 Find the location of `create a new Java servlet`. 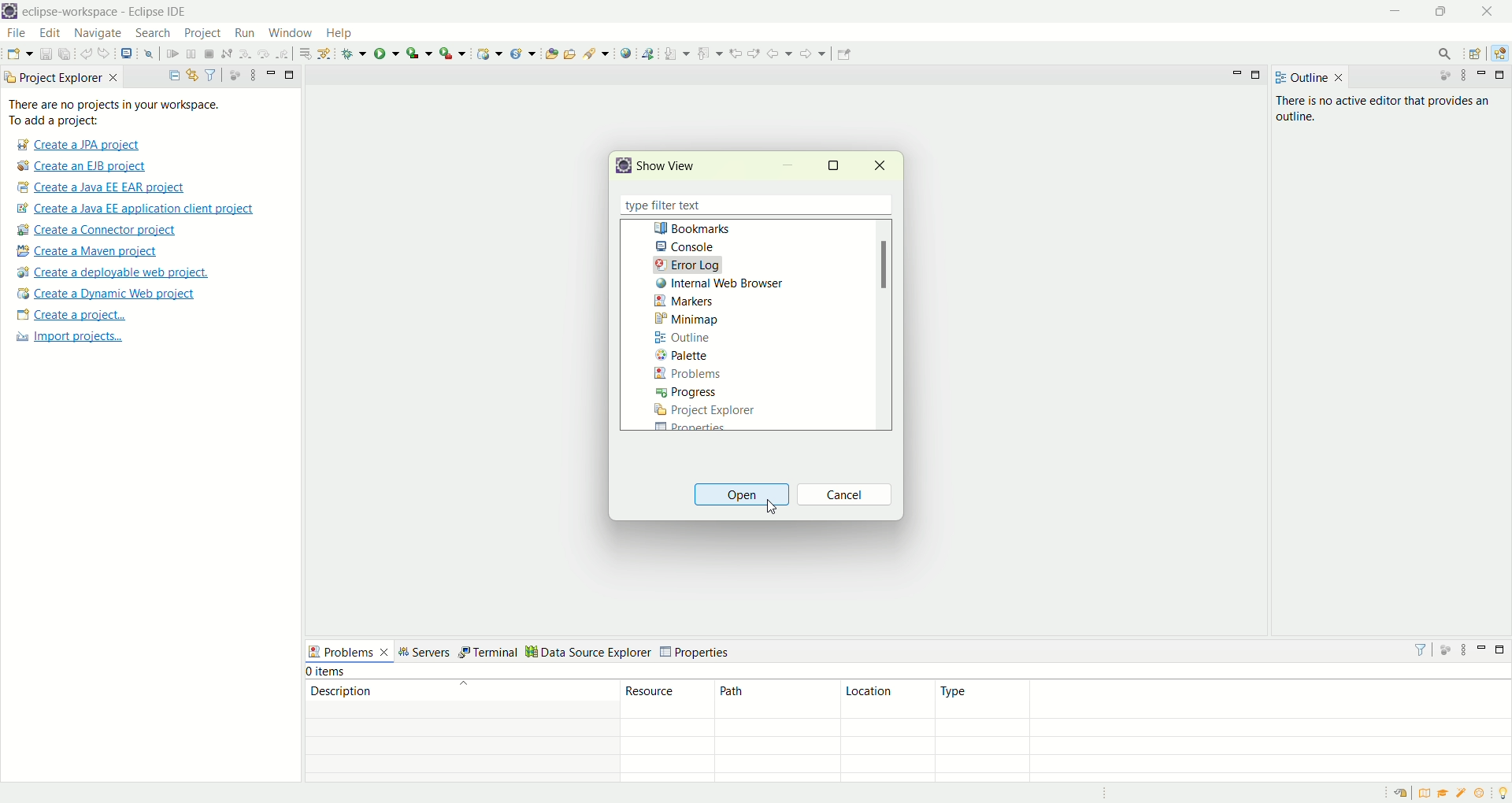

create a new Java servlet is located at coordinates (523, 53).